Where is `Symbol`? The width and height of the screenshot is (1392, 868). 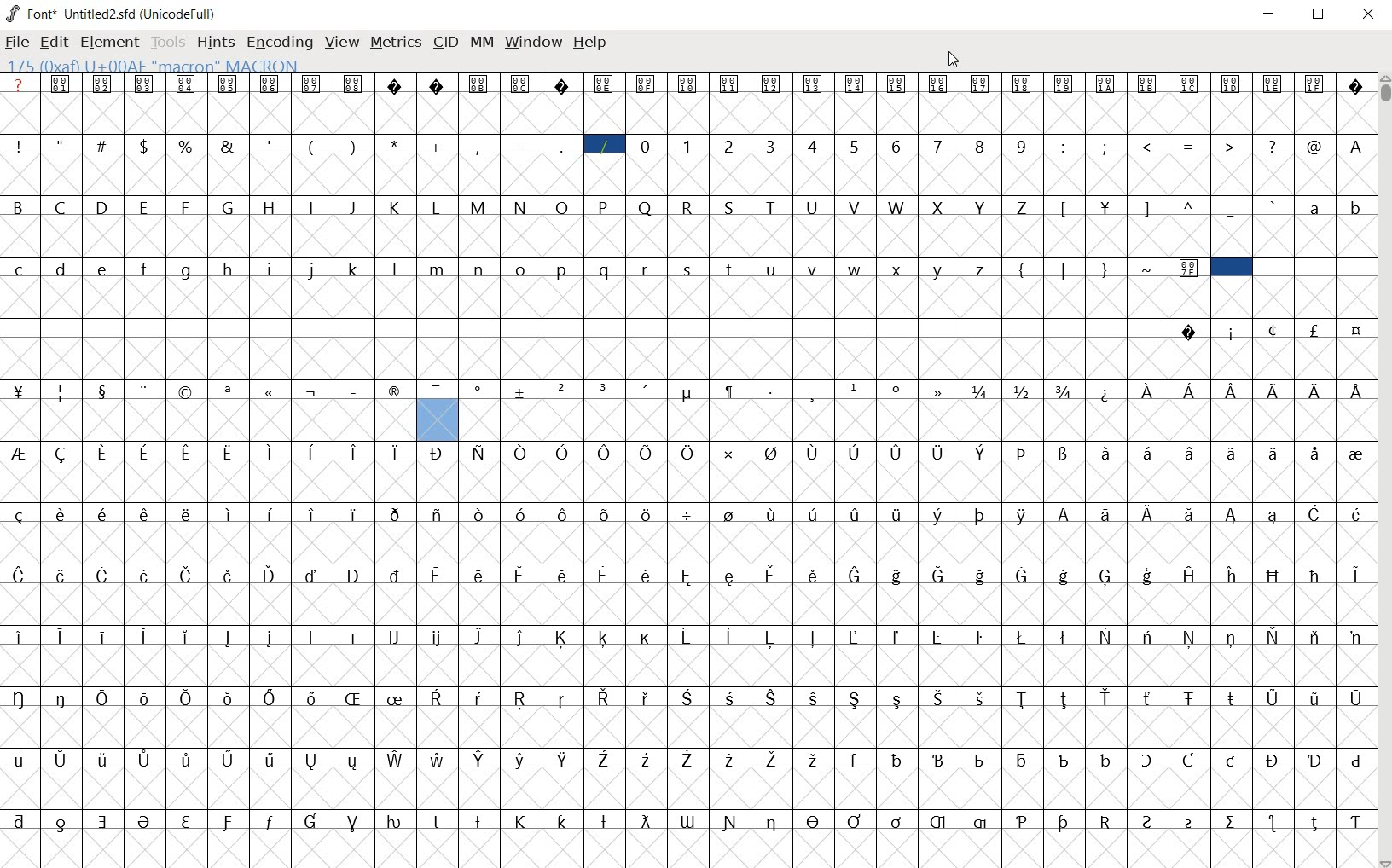
Symbol is located at coordinates (482, 819).